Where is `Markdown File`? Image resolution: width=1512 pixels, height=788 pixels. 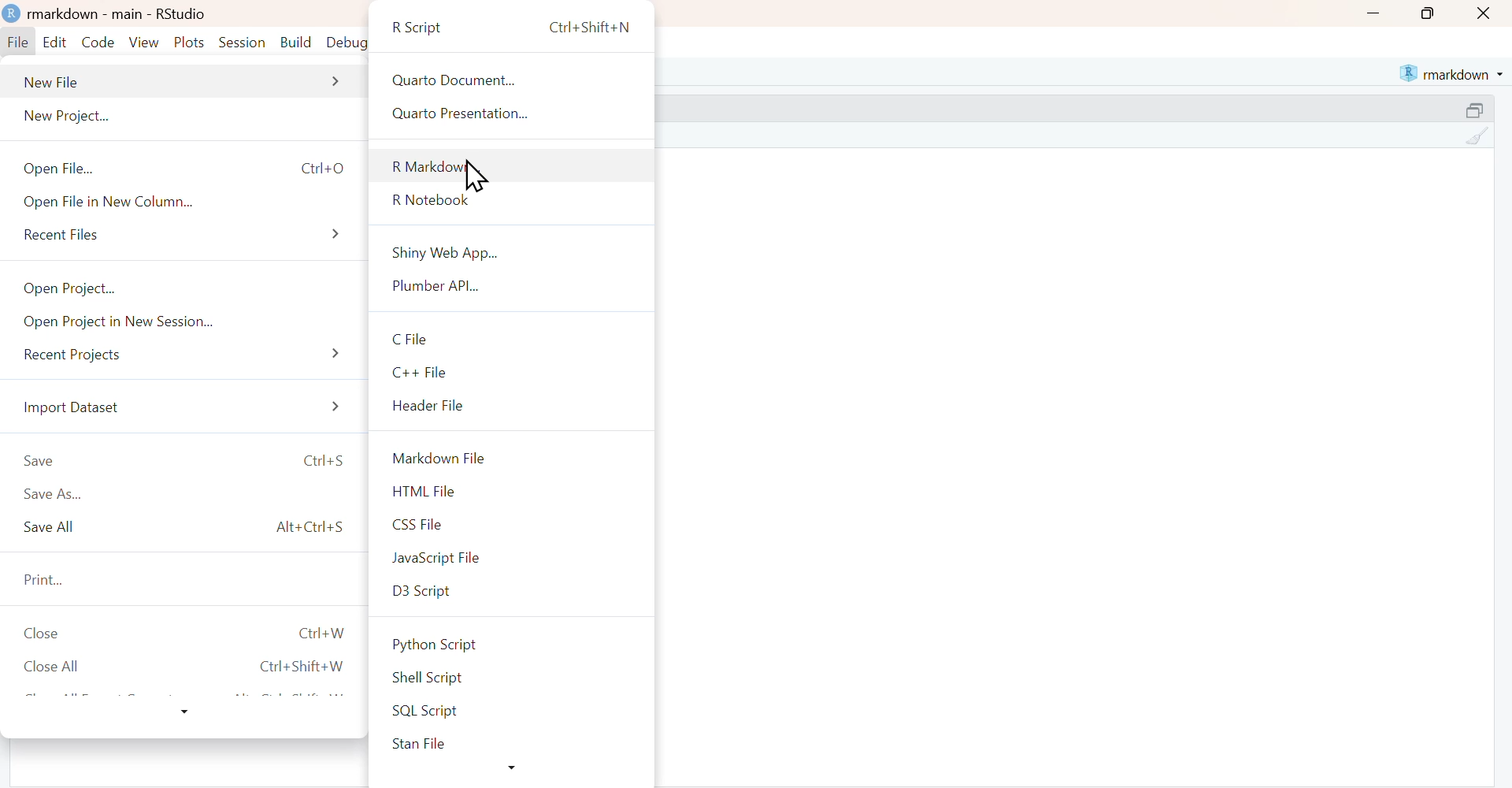
Markdown File is located at coordinates (510, 458).